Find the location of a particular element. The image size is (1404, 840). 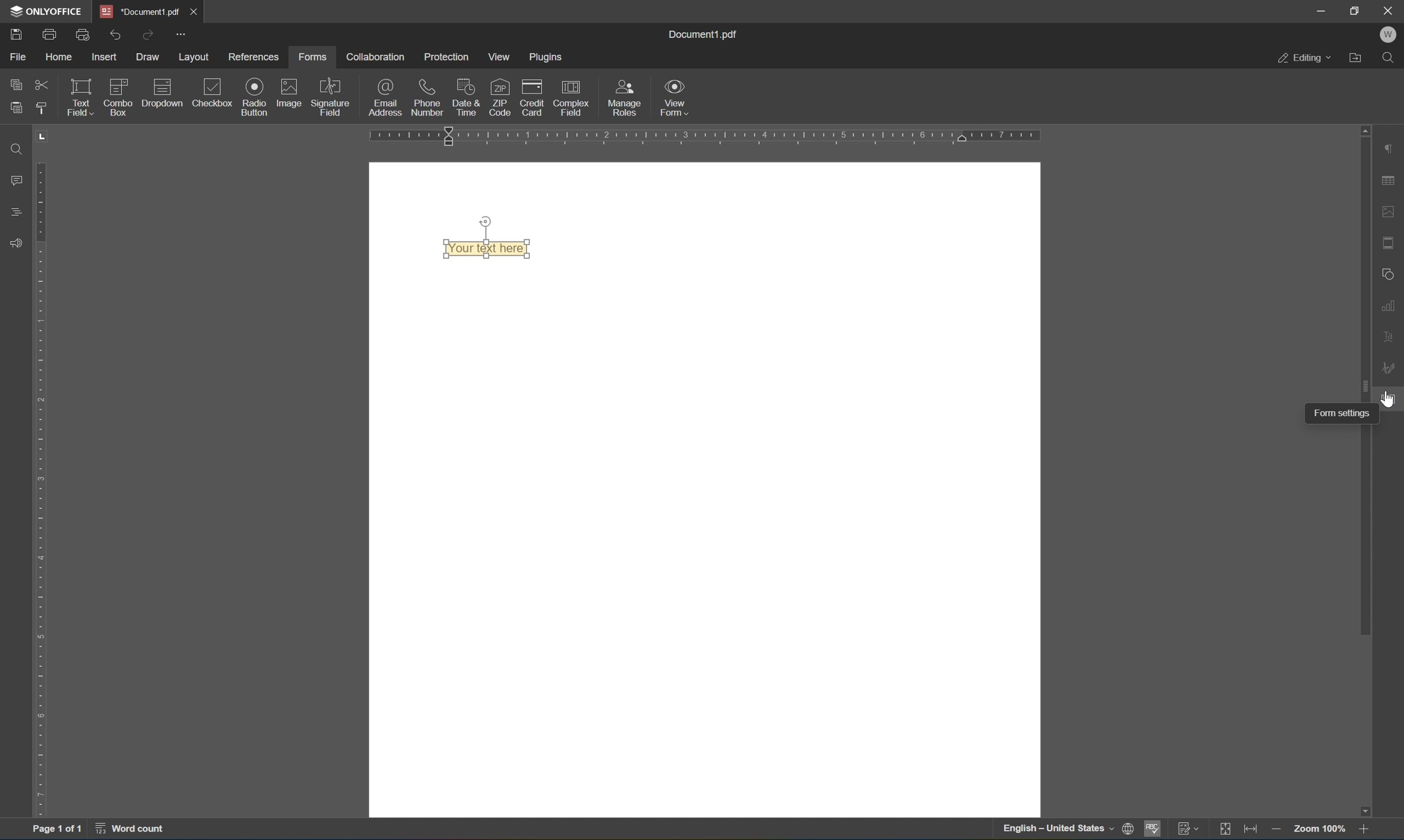

date and time is located at coordinates (466, 96).